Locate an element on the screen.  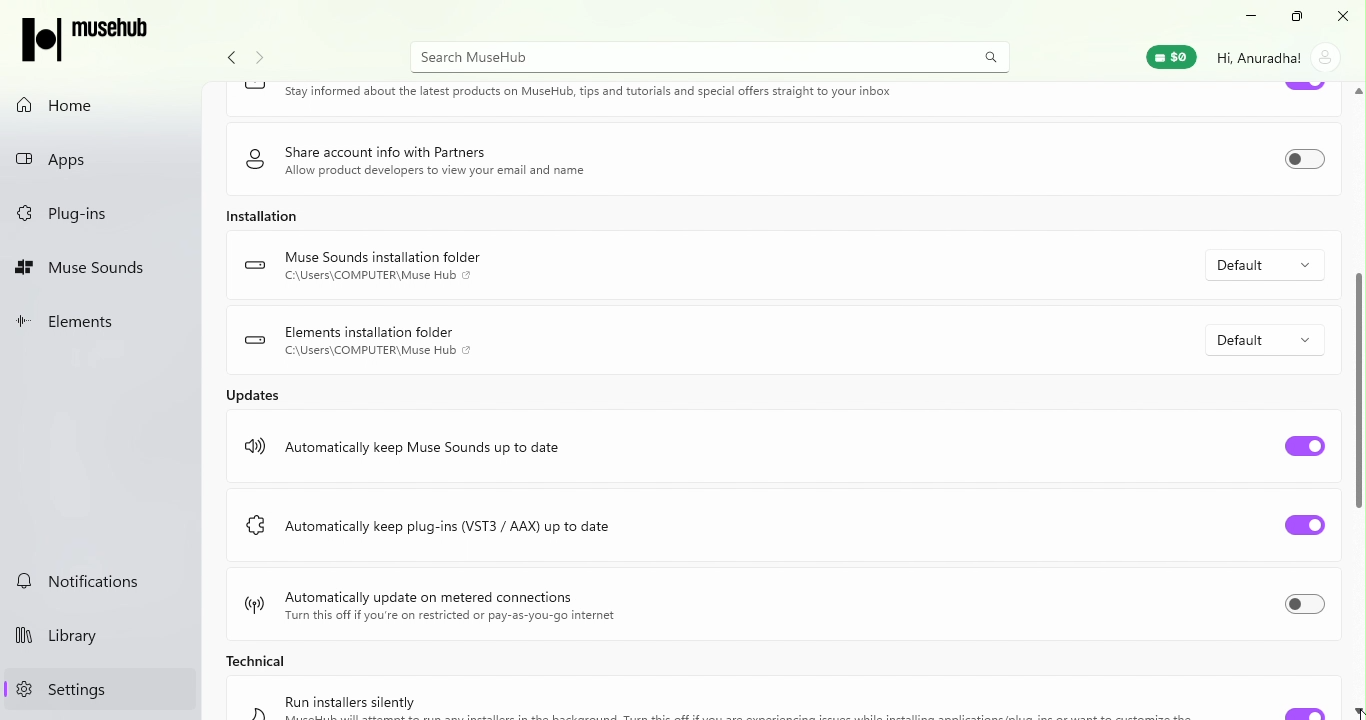
Toggle is located at coordinates (1304, 446).